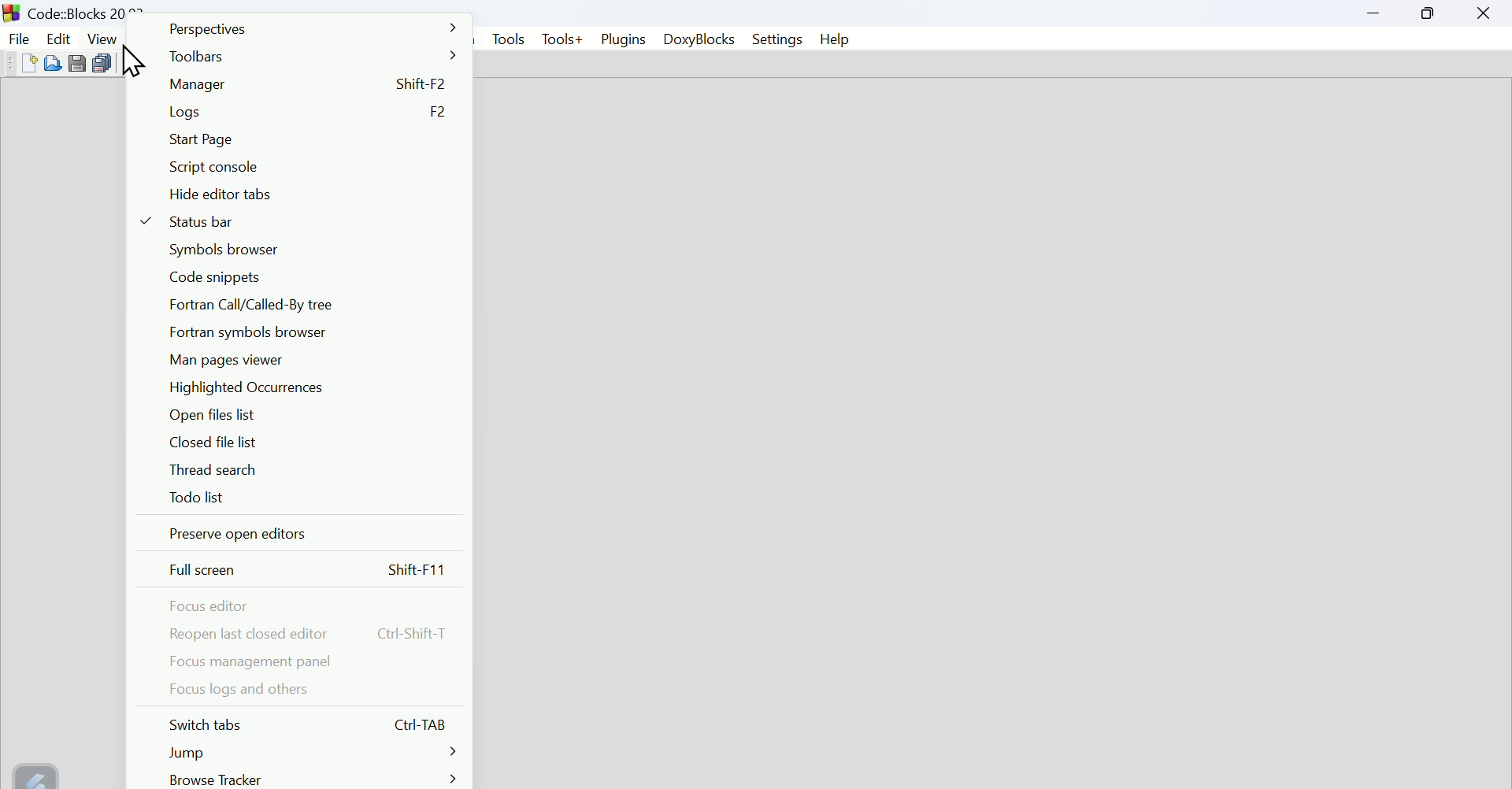 The height and width of the screenshot is (789, 1512). What do you see at coordinates (260, 195) in the screenshot?
I see `Hide editor tabs` at bounding box center [260, 195].